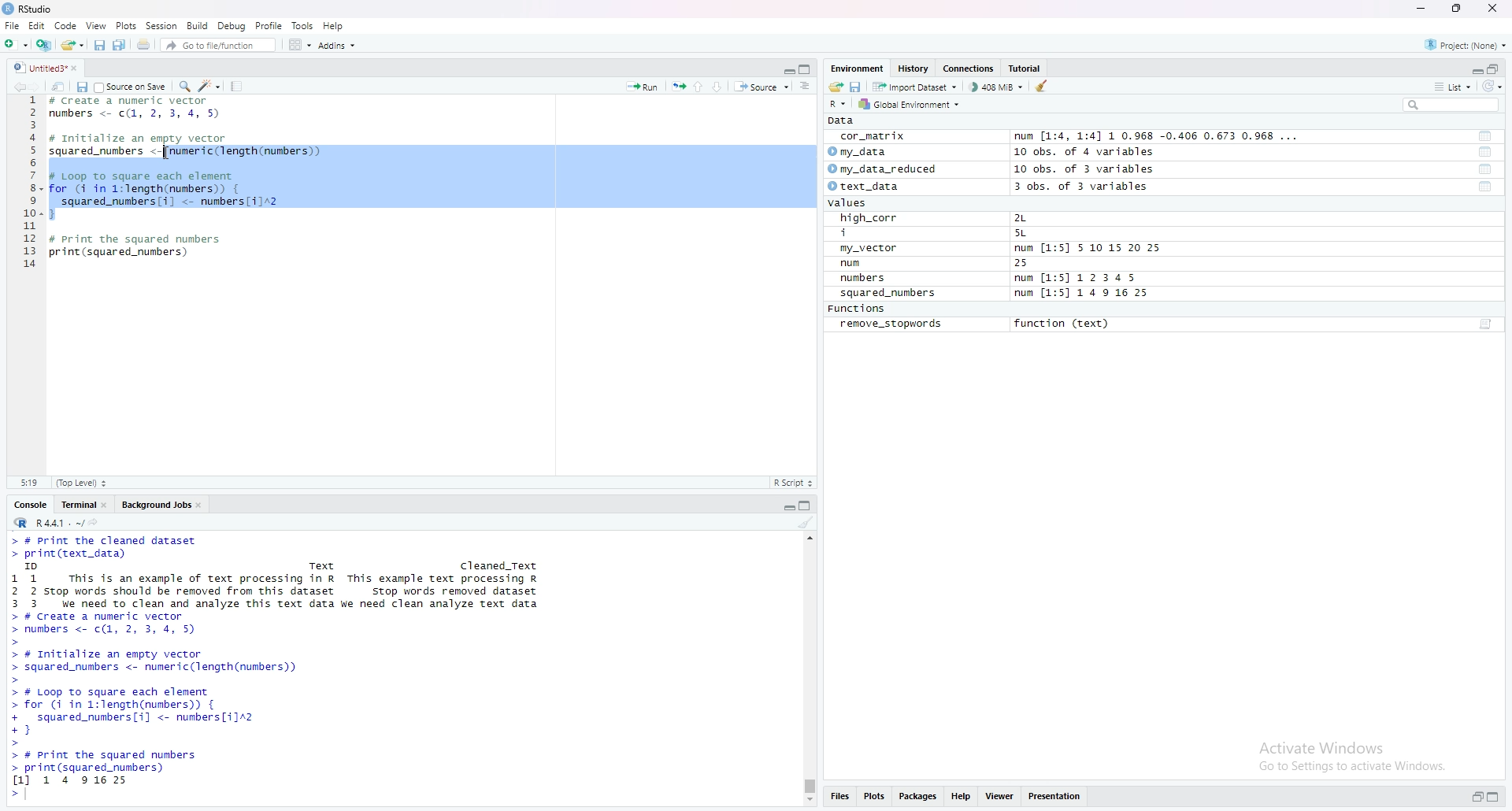 Image resolution: width=1512 pixels, height=811 pixels. I want to click on 2L, so click(1029, 218).